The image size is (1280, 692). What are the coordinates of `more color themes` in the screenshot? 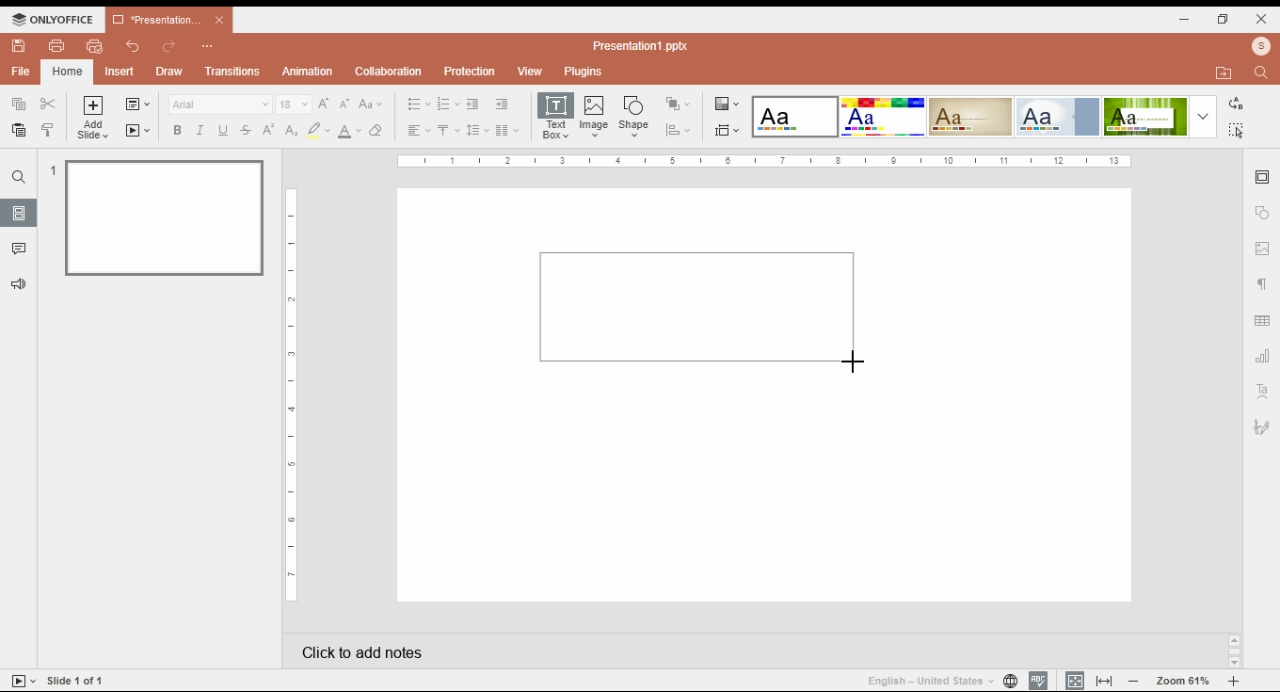 It's located at (1203, 116).